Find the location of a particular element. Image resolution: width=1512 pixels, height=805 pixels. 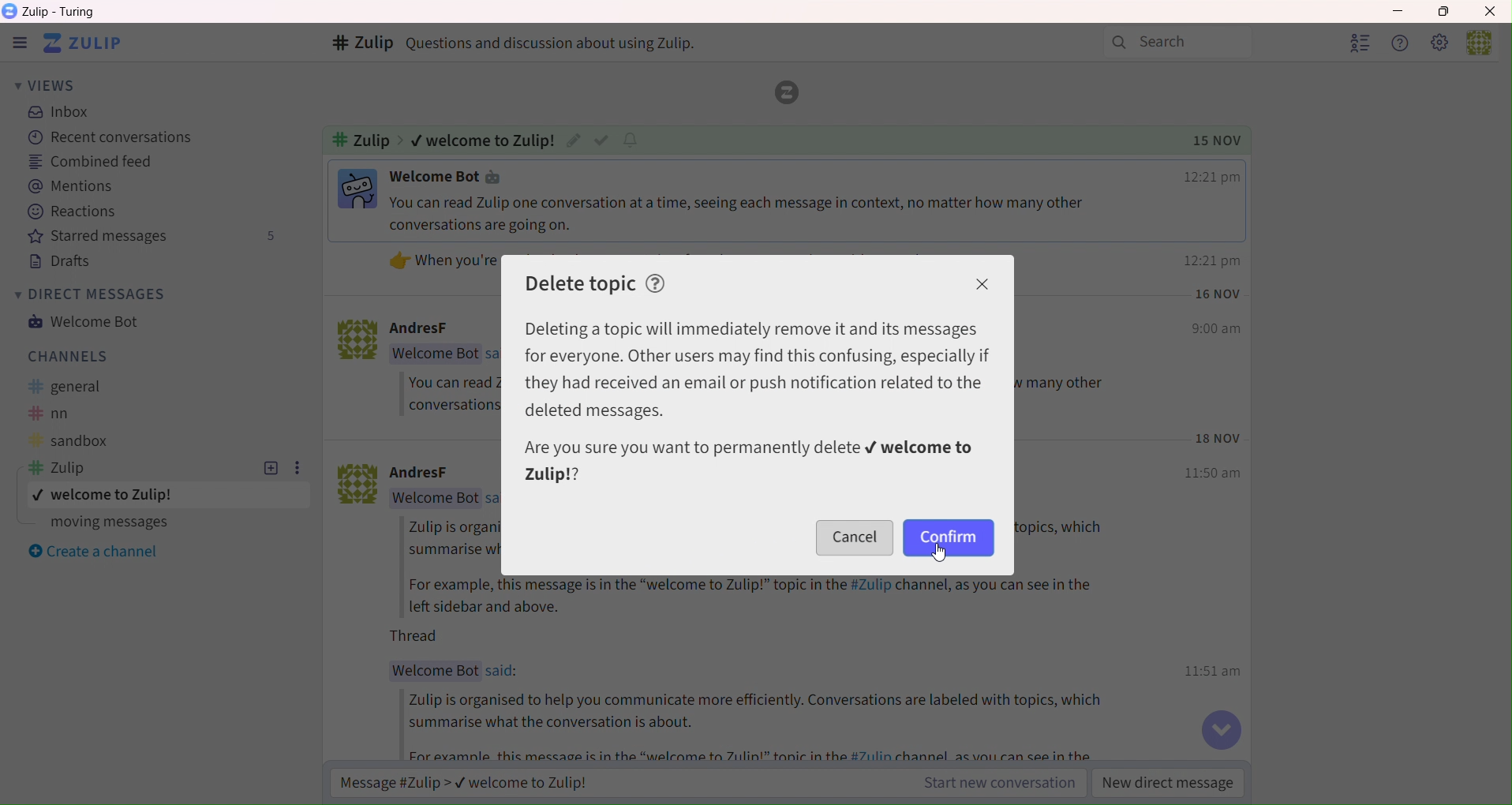

Time is located at coordinates (1220, 438).